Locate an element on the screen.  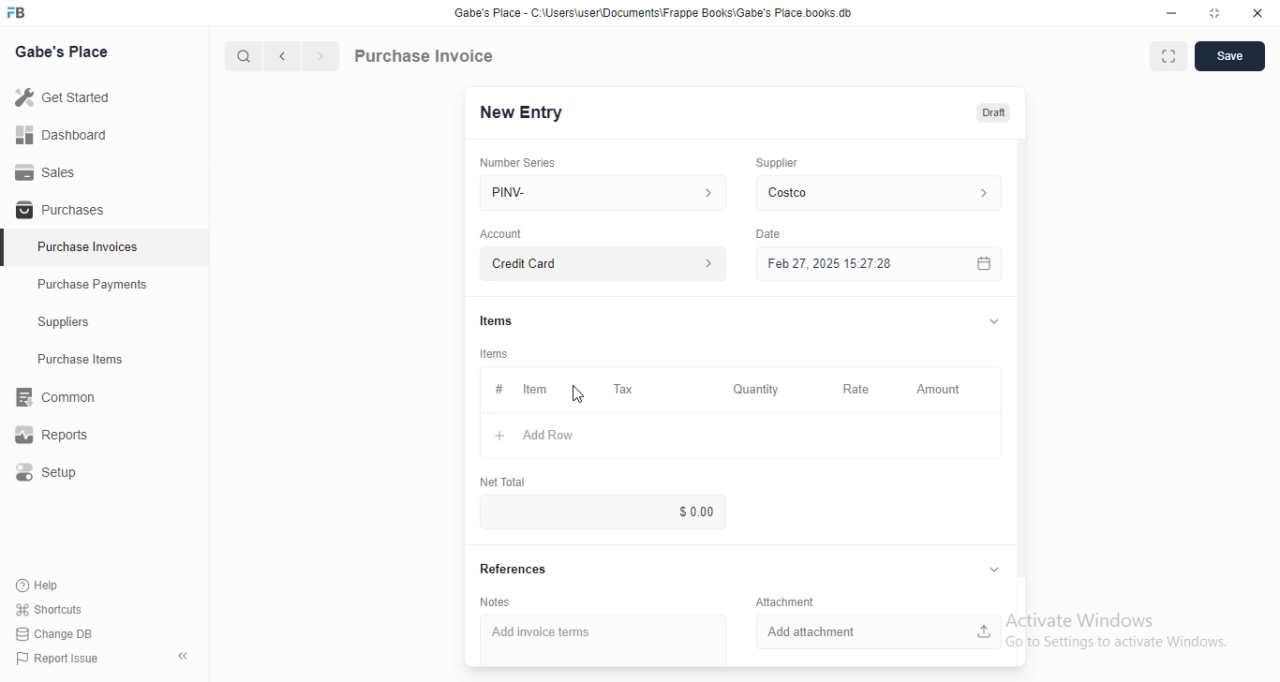
References is located at coordinates (514, 568).